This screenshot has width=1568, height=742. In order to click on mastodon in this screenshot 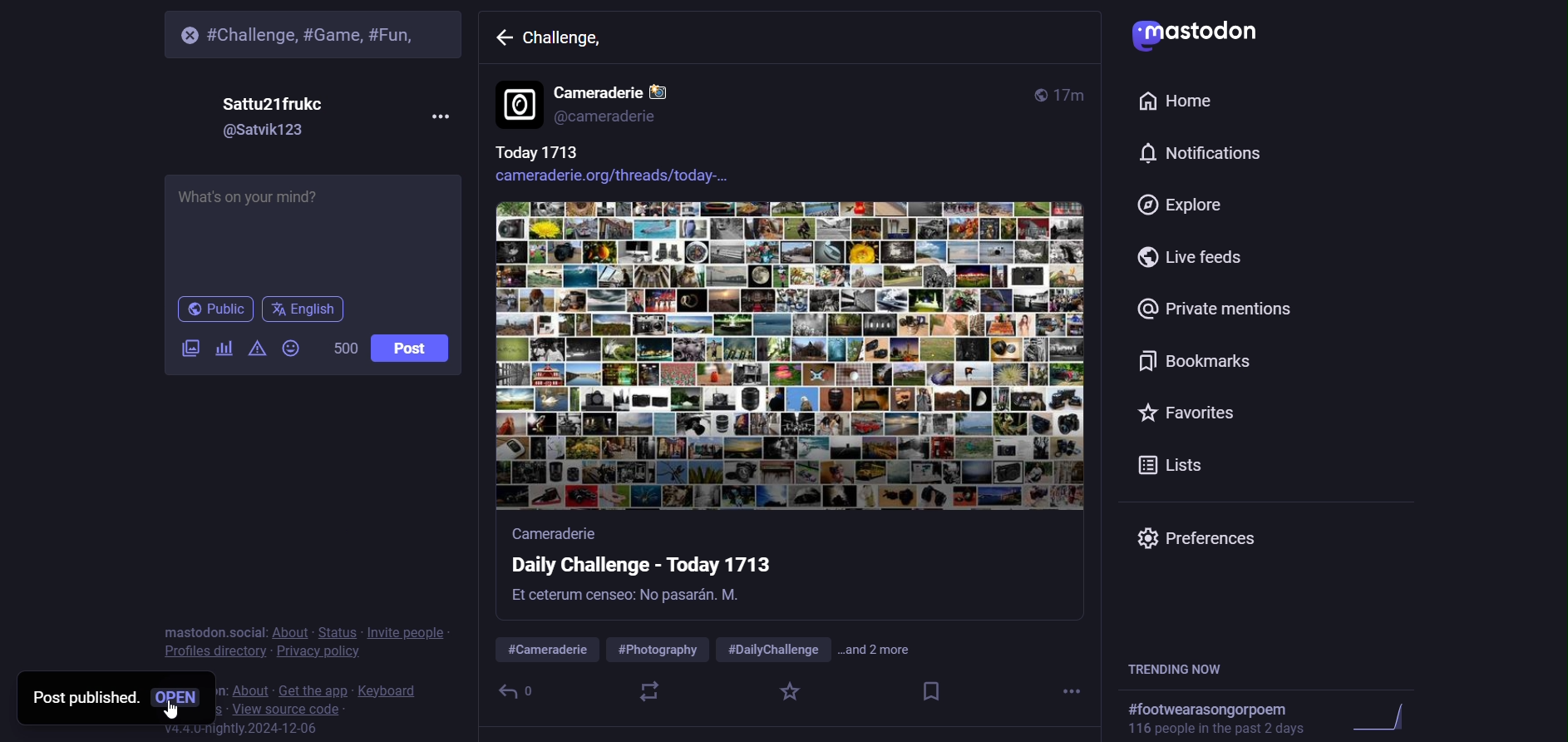, I will do `click(1202, 32)`.